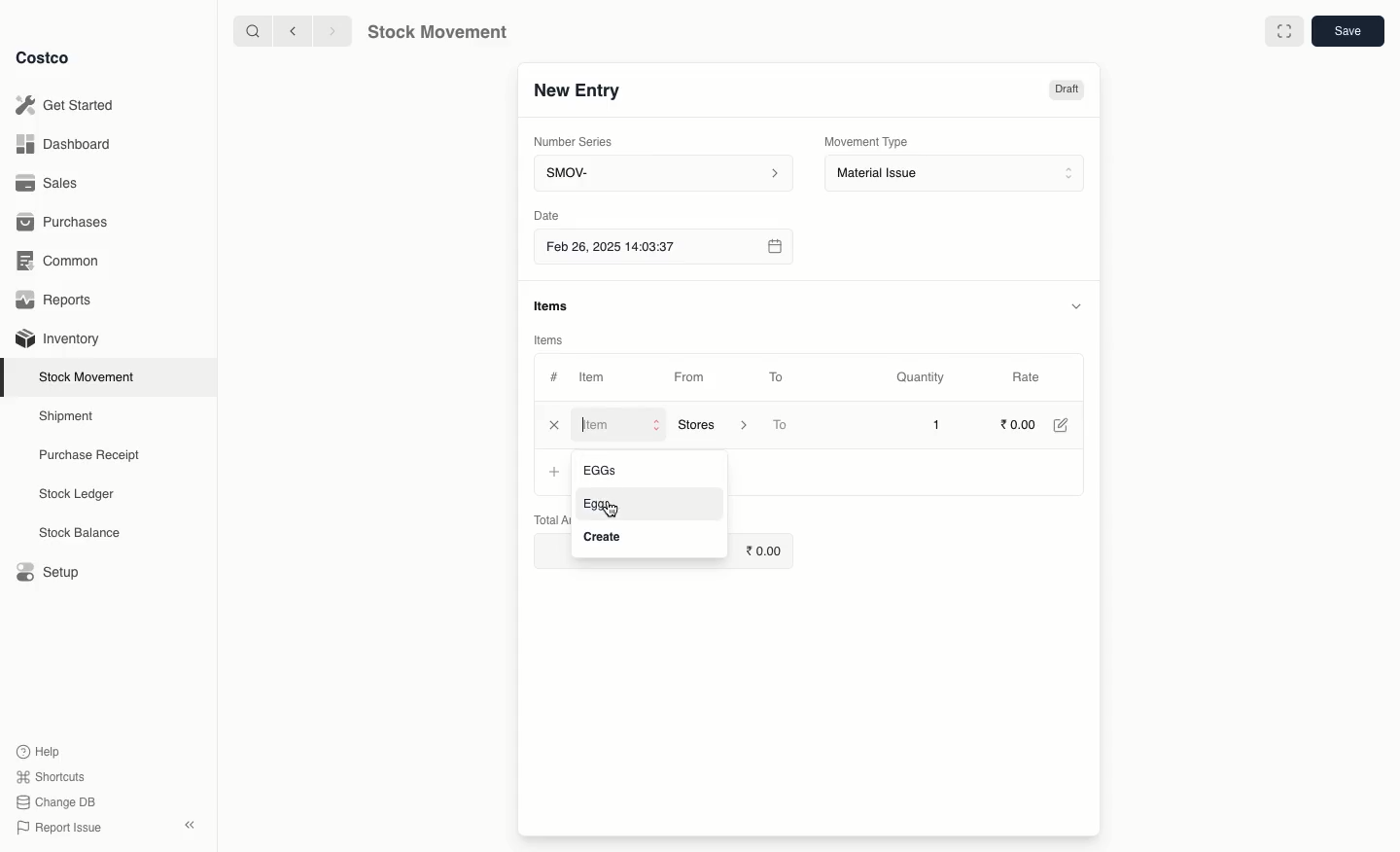 The width and height of the screenshot is (1400, 852). I want to click on To, so click(777, 376).